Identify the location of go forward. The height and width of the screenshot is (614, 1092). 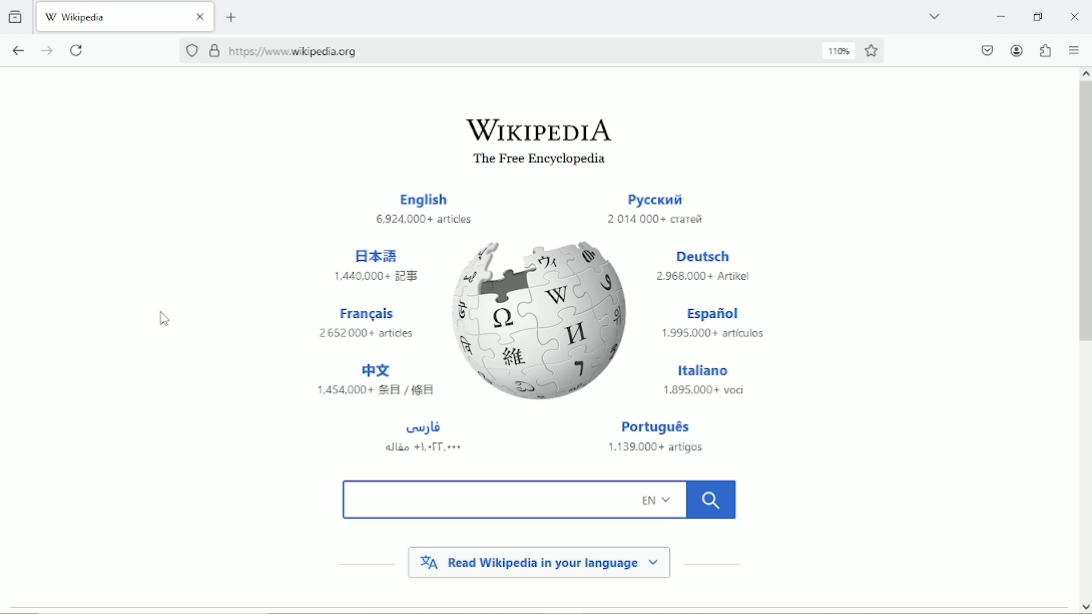
(46, 51).